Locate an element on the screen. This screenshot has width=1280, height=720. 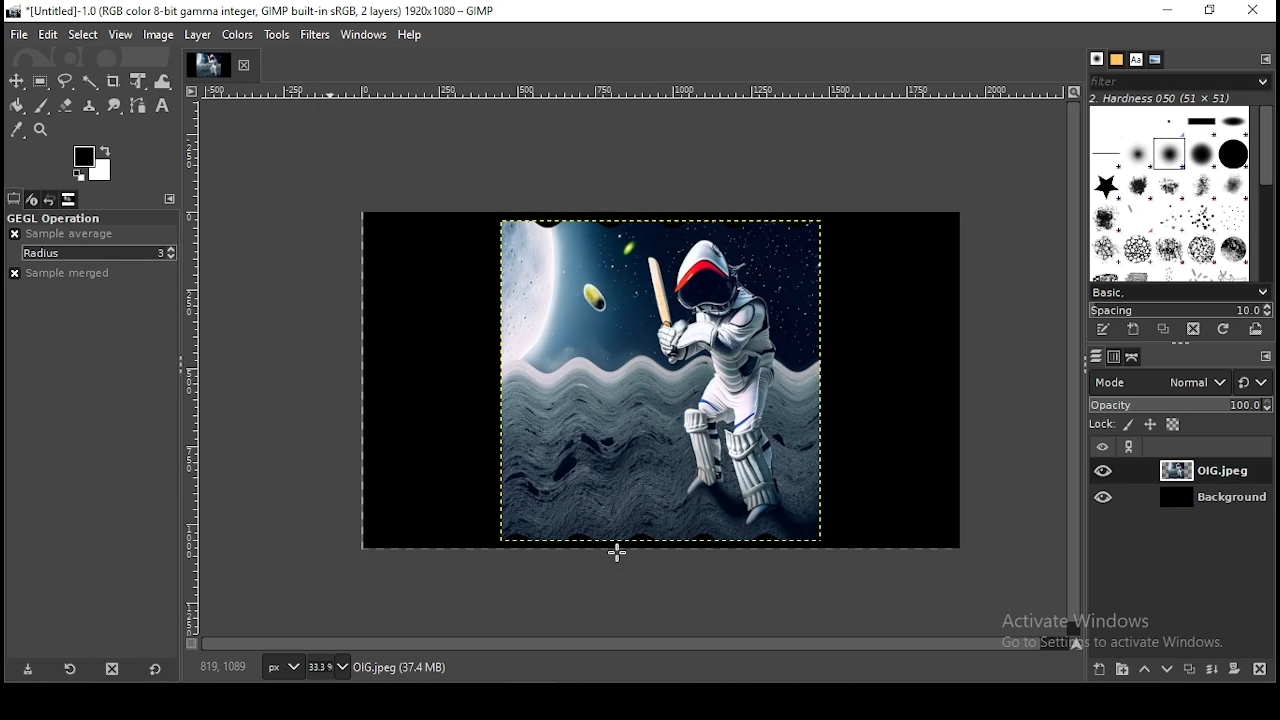
colors is located at coordinates (94, 162).